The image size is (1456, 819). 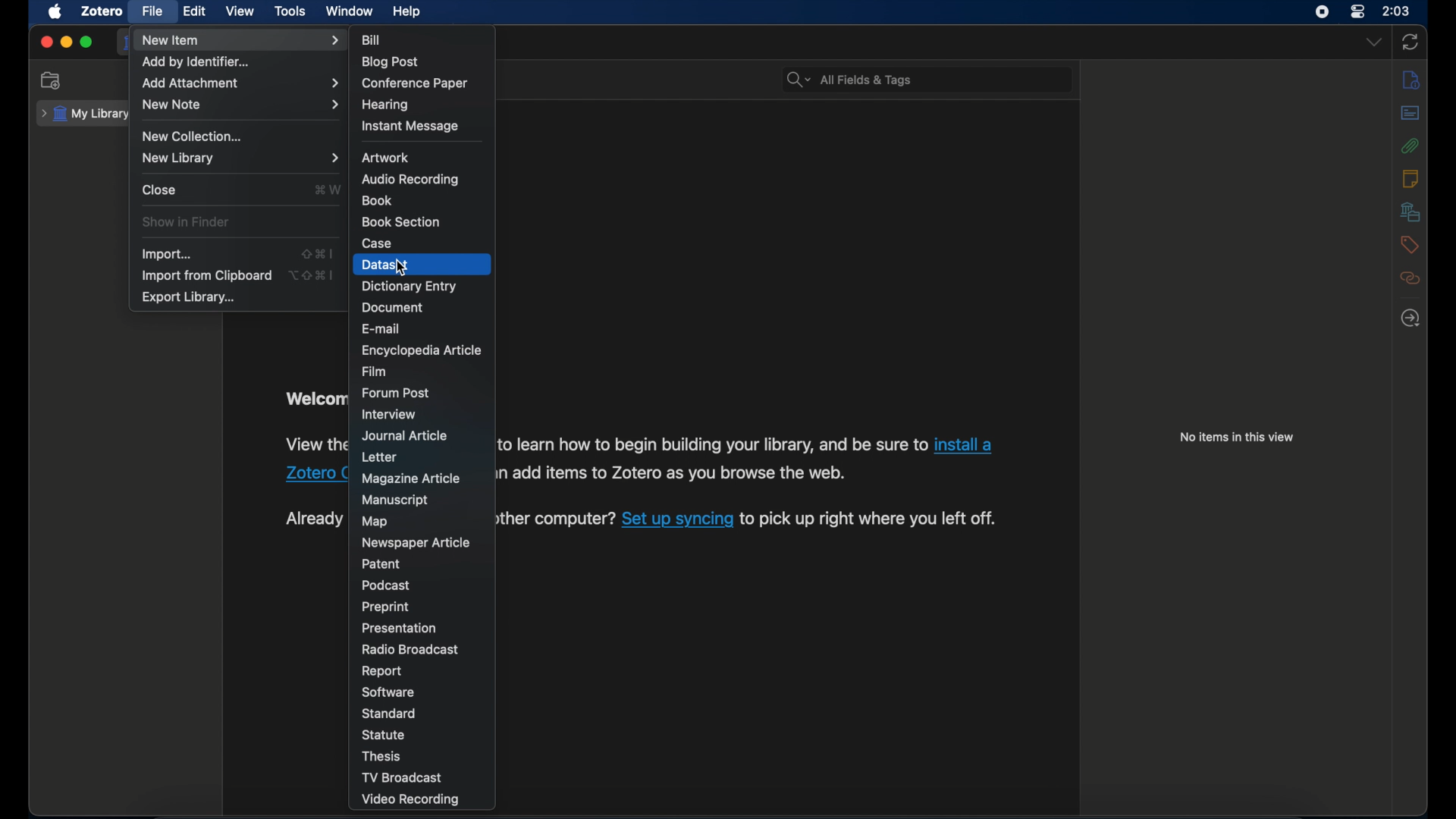 What do you see at coordinates (420, 350) in the screenshot?
I see `encyclopedia article` at bounding box center [420, 350].